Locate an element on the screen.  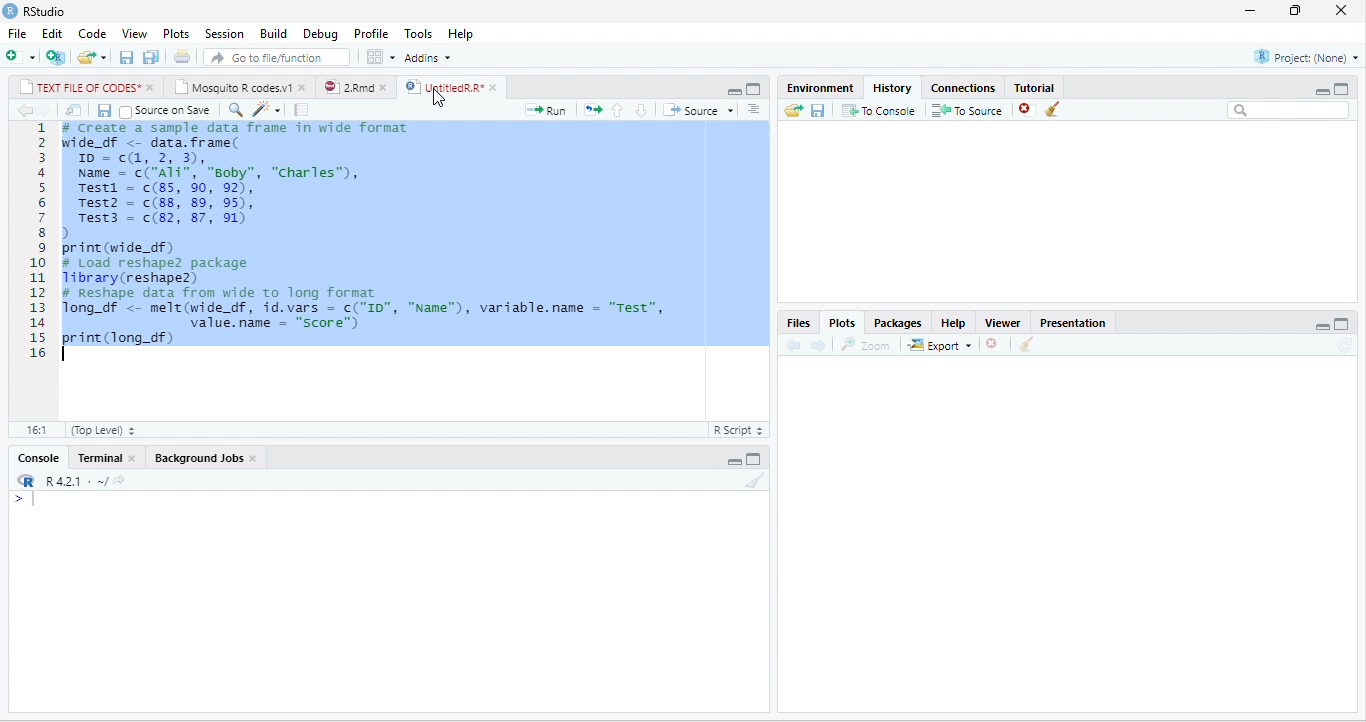
Build is located at coordinates (273, 34).